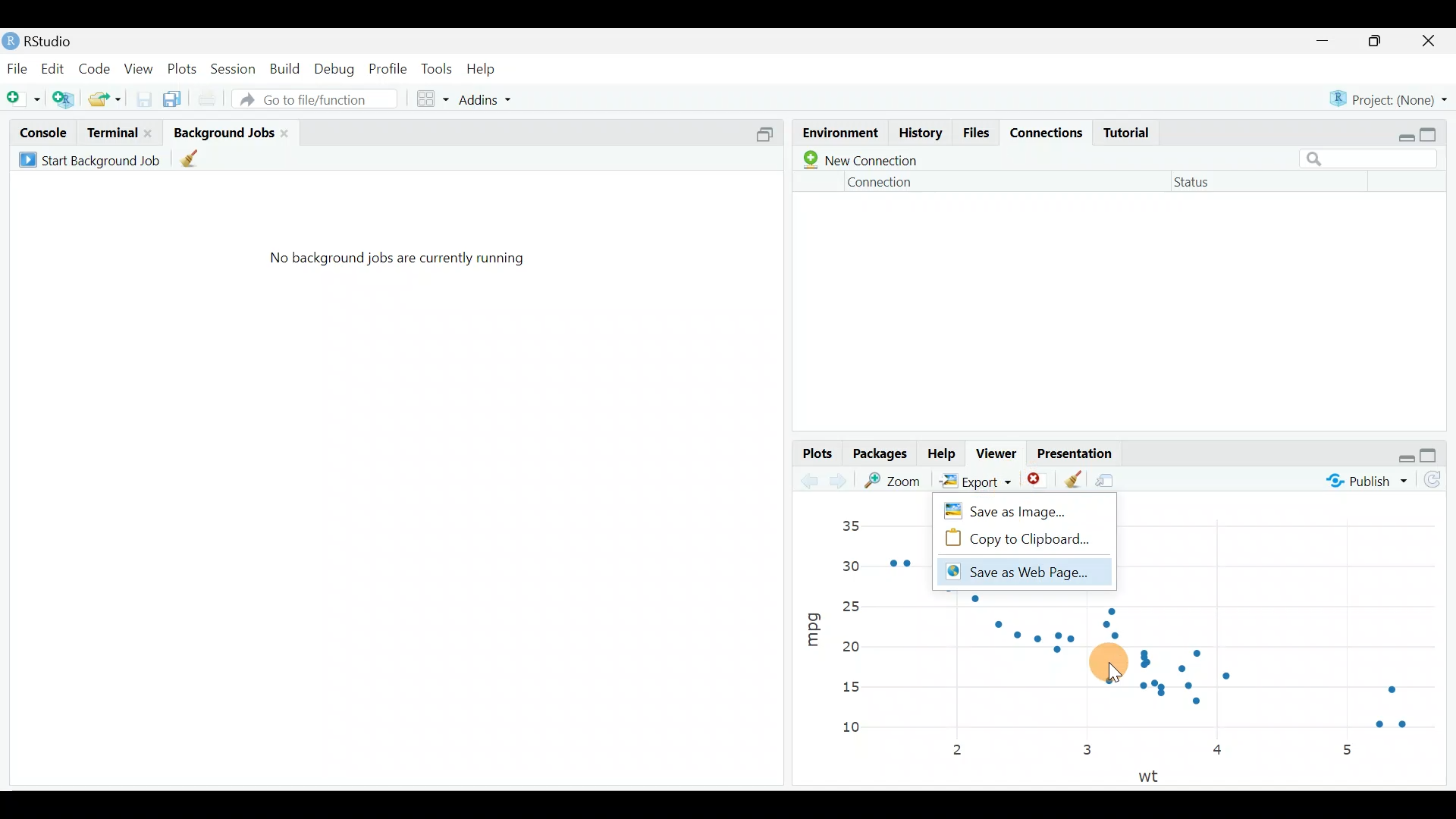 The image size is (1456, 819). What do you see at coordinates (859, 729) in the screenshot?
I see `10` at bounding box center [859, 729].